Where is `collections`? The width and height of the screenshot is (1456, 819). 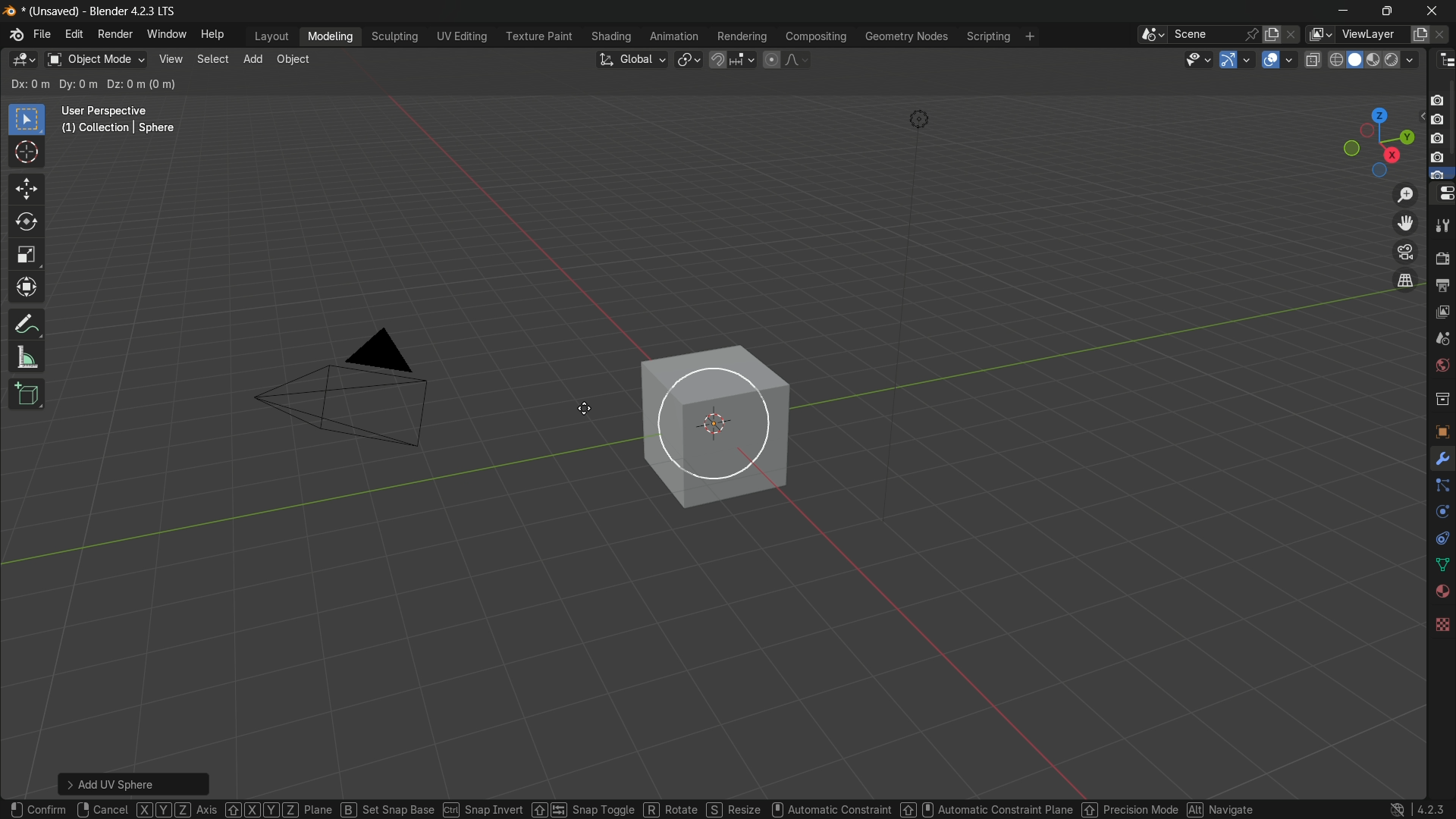
collections is located at coordinates (1441, 399).